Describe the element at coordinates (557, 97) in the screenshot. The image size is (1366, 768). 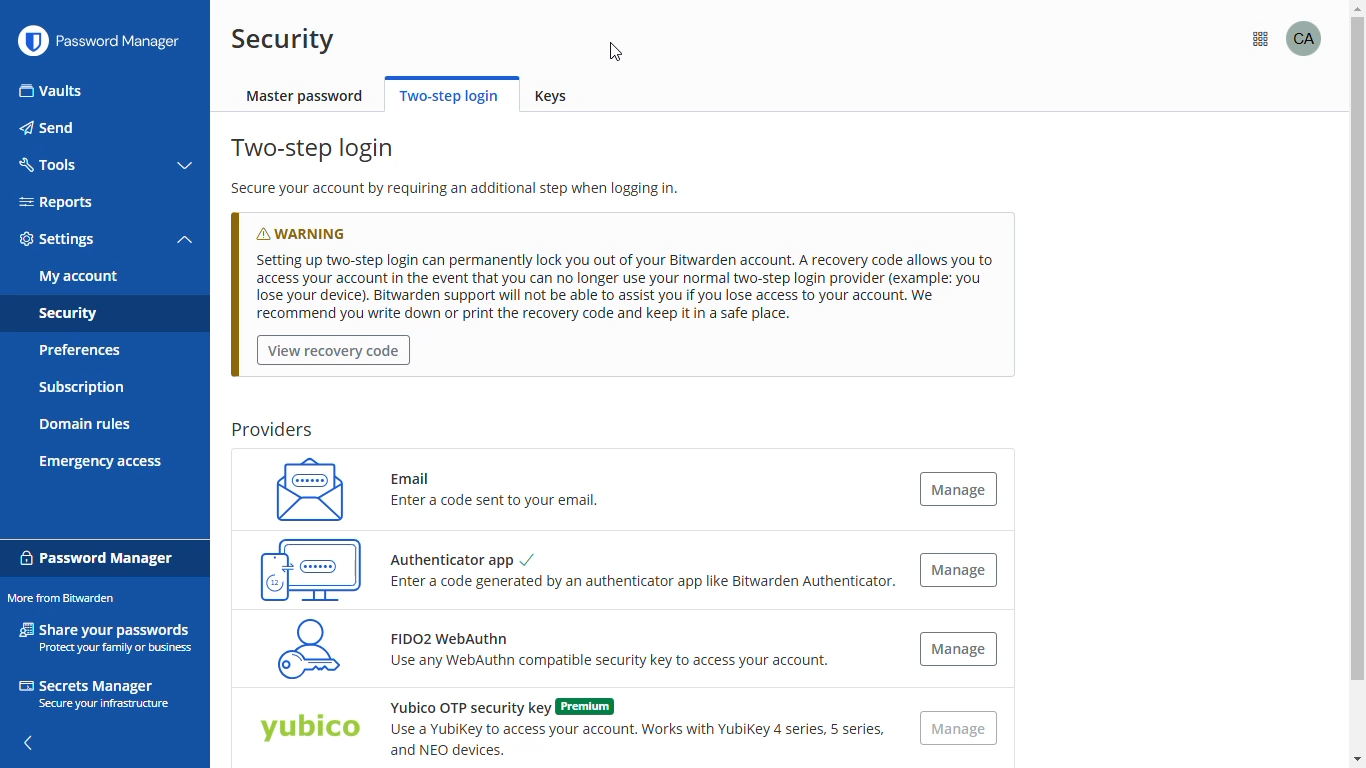
I see `keys` at that location.